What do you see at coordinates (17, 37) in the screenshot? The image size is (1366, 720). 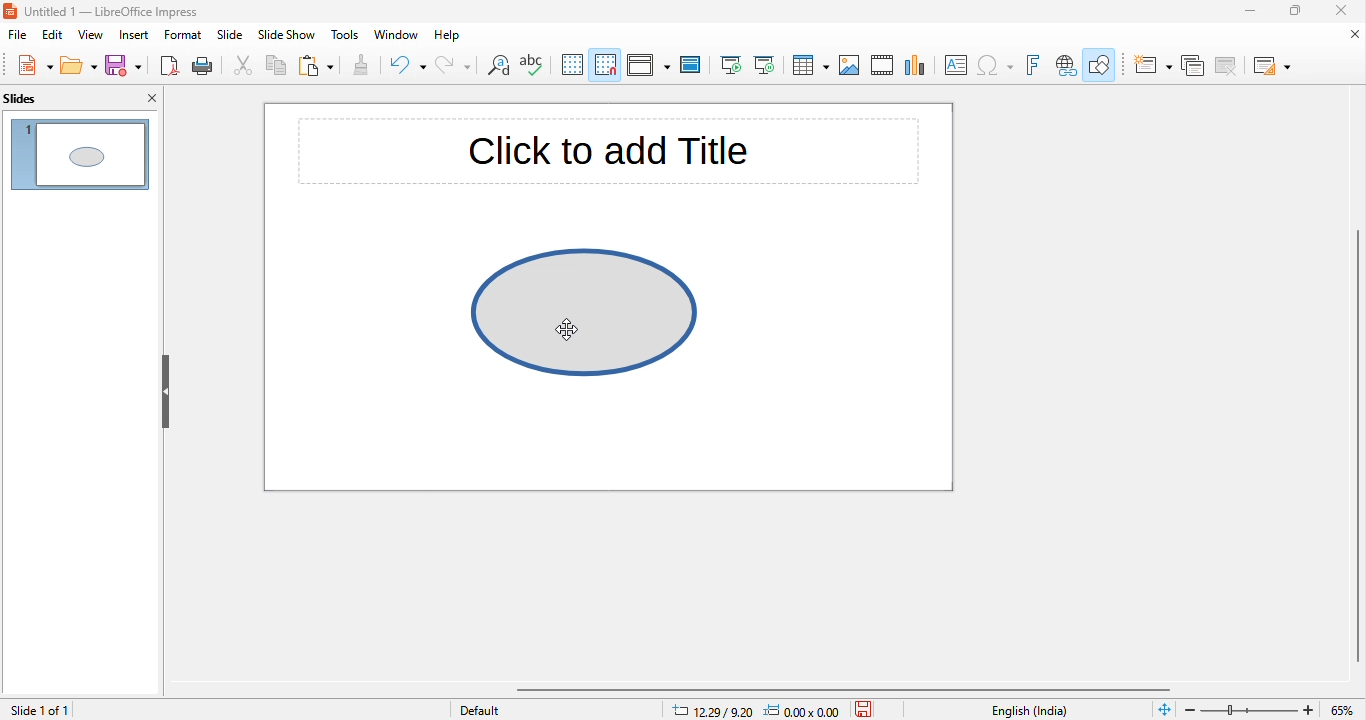 I see `file` at bounding box center [17, 37].